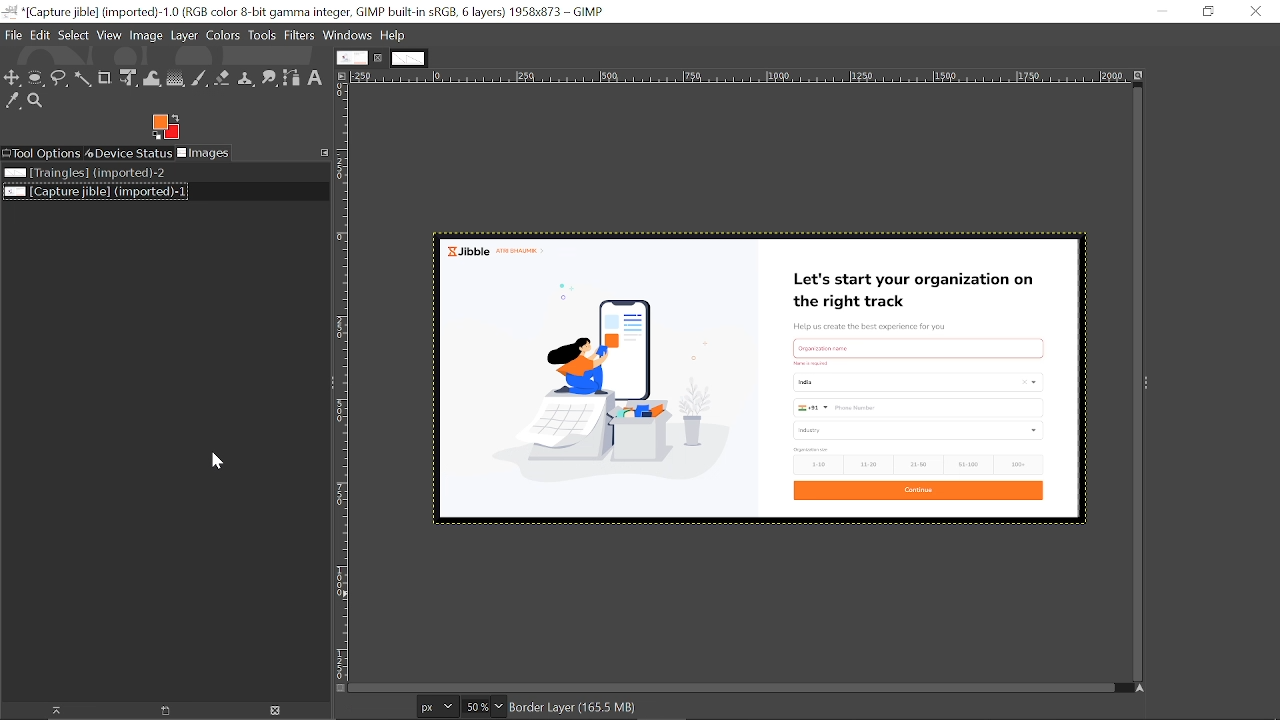  What do you see at coordinates (96, 191) in the screenshot?
I see `Current file named "Capture Jible"` at bounding box center [96, 191].